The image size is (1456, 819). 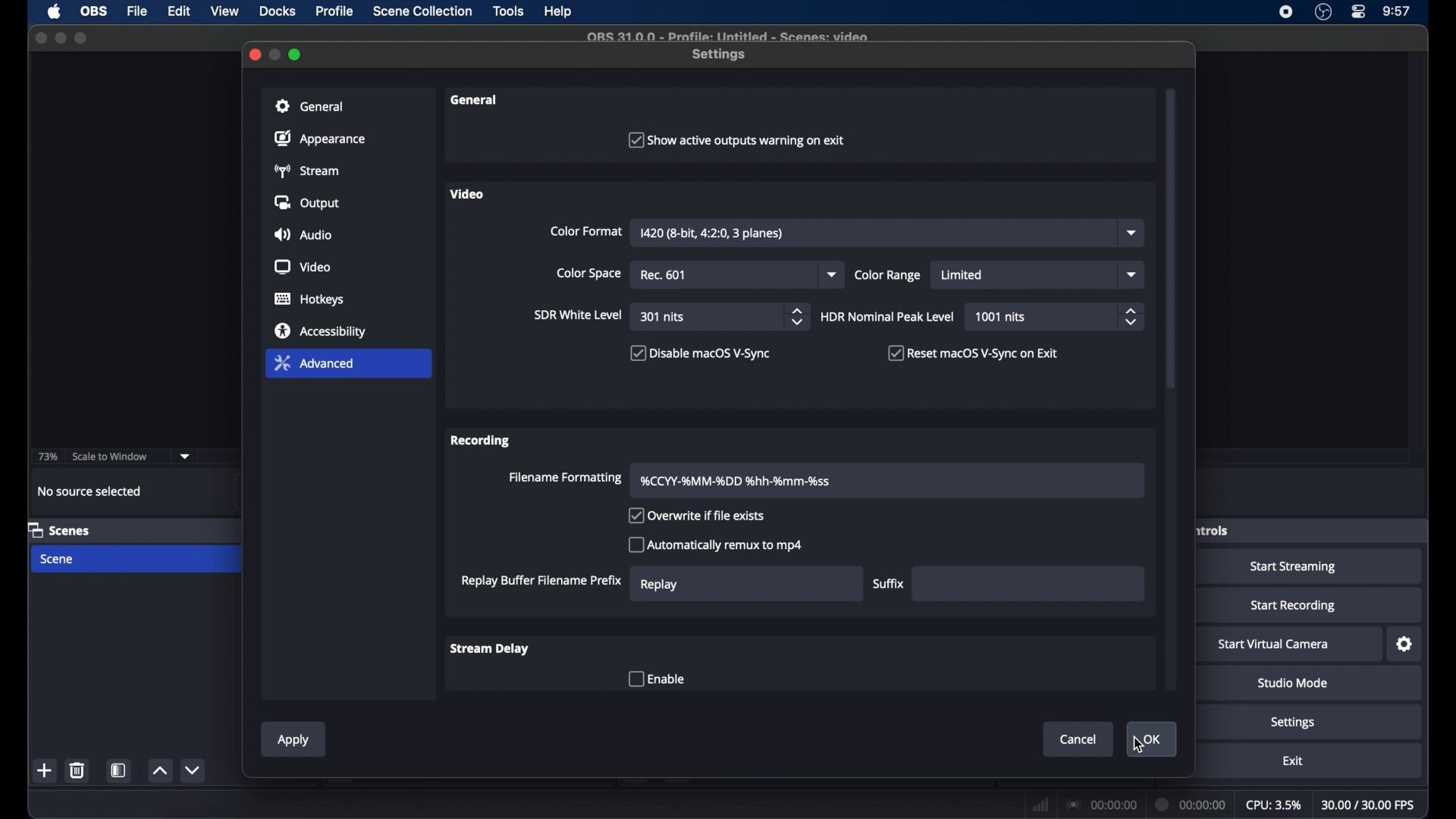 I want to click on decrement, so click(x=194, y=770).